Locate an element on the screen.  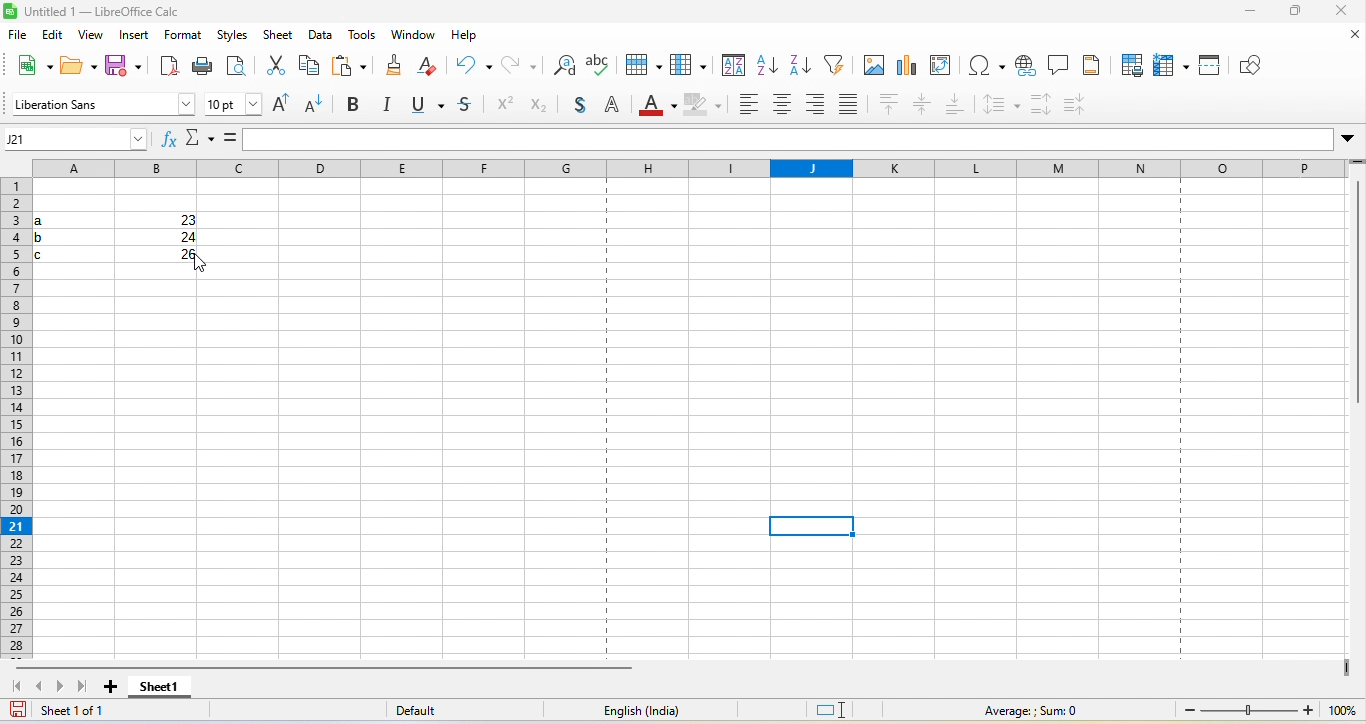
subscript is located at coordinates (538, 105).